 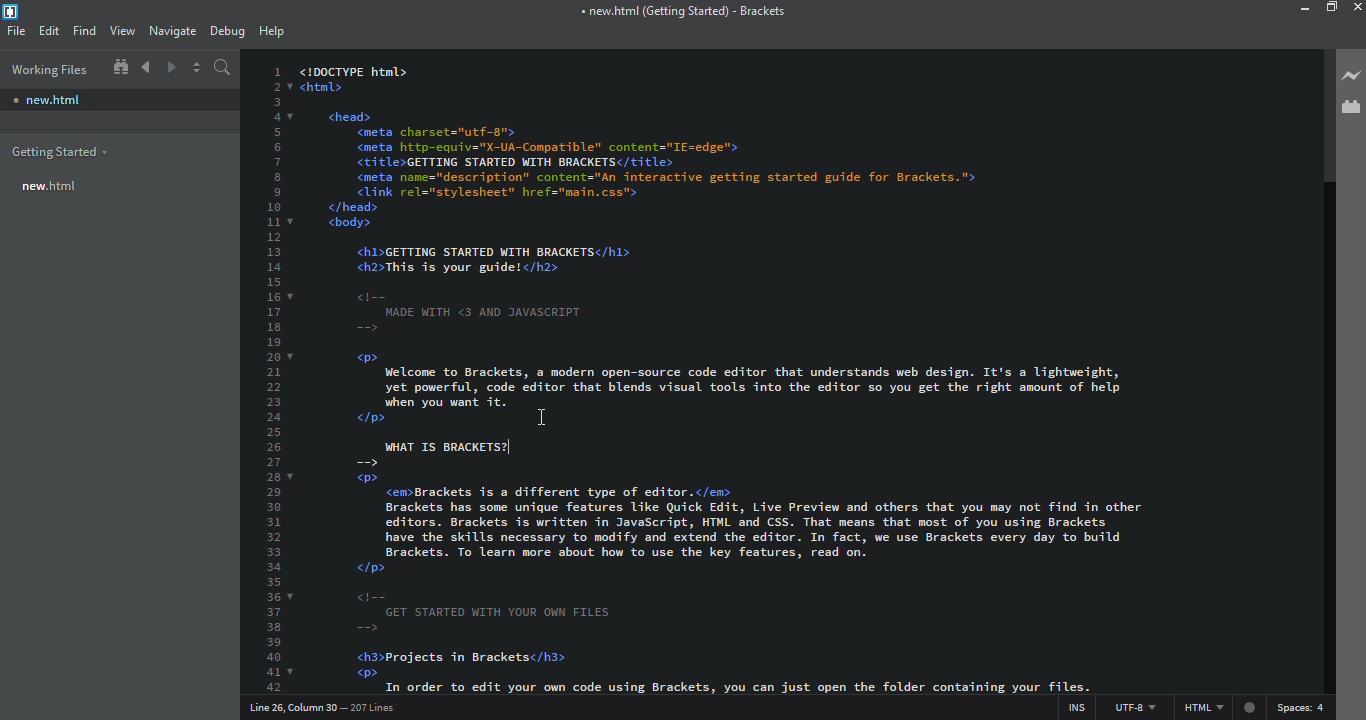 I want to click on navigate, so click(x=173, y=31).